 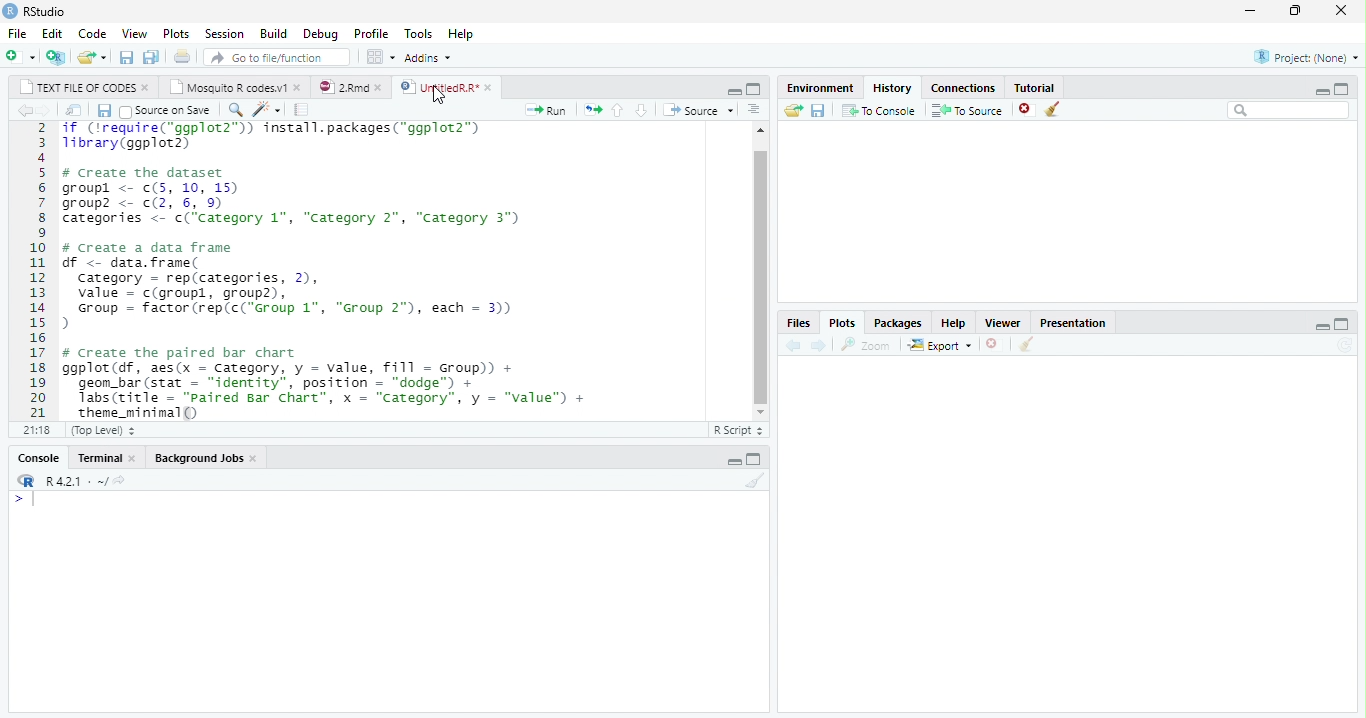 I want to click on logo, so click(x=26, y=480).